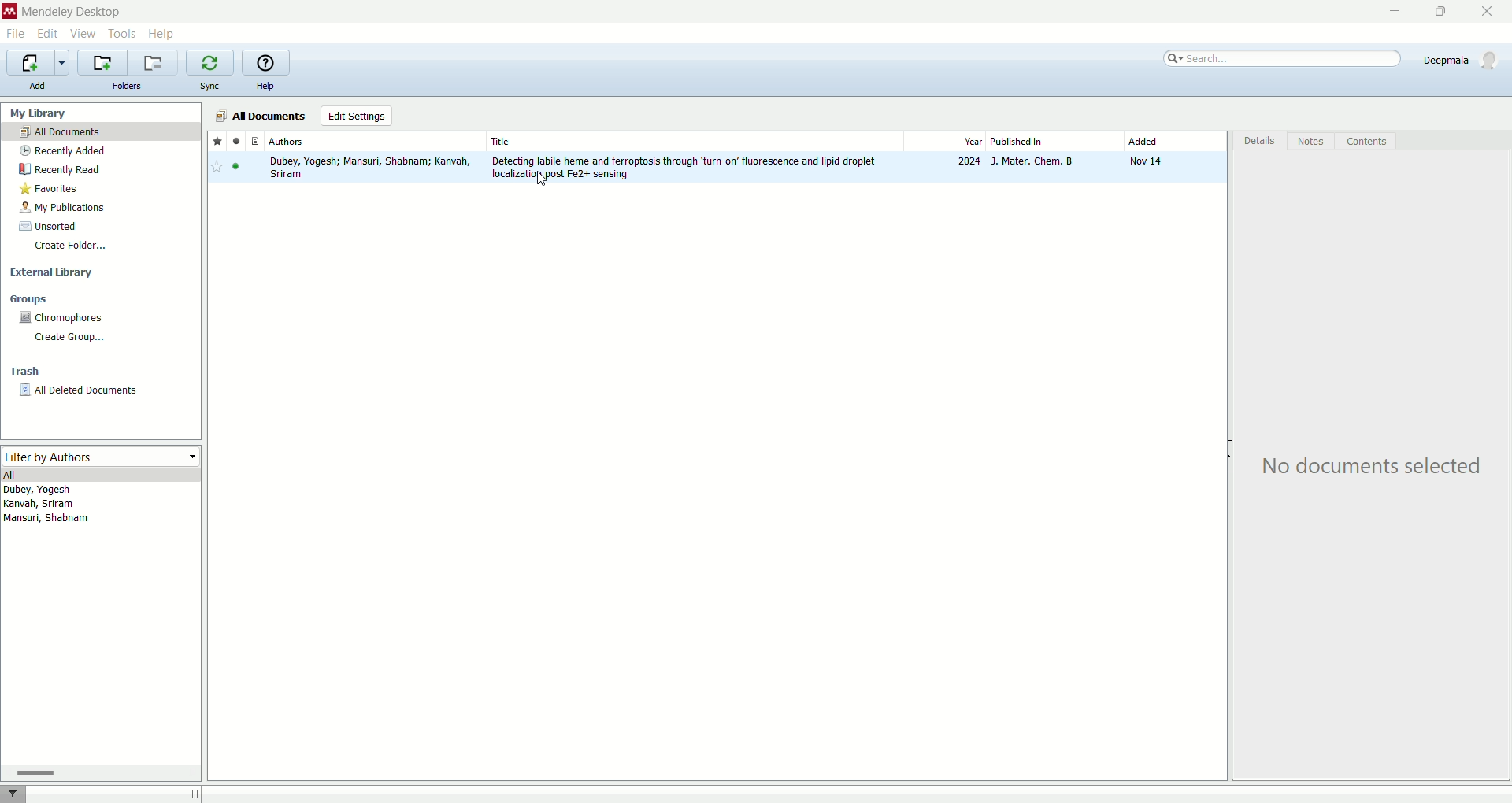  What do you see at coordinates (1491, 11) in the screenshot?
I see `close` at bounding box center [1491, 11].